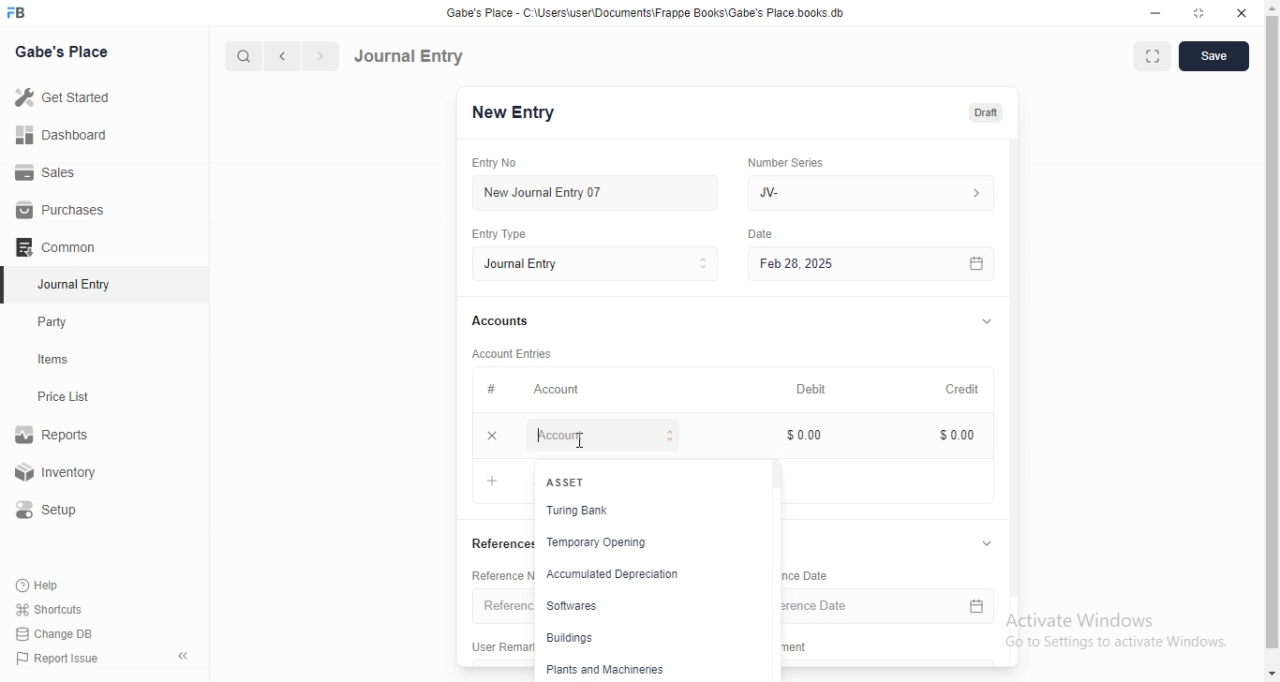 The width and height of the screenshot is (1280, 682). I want to click on ‘Change DB, so click(55, 634).